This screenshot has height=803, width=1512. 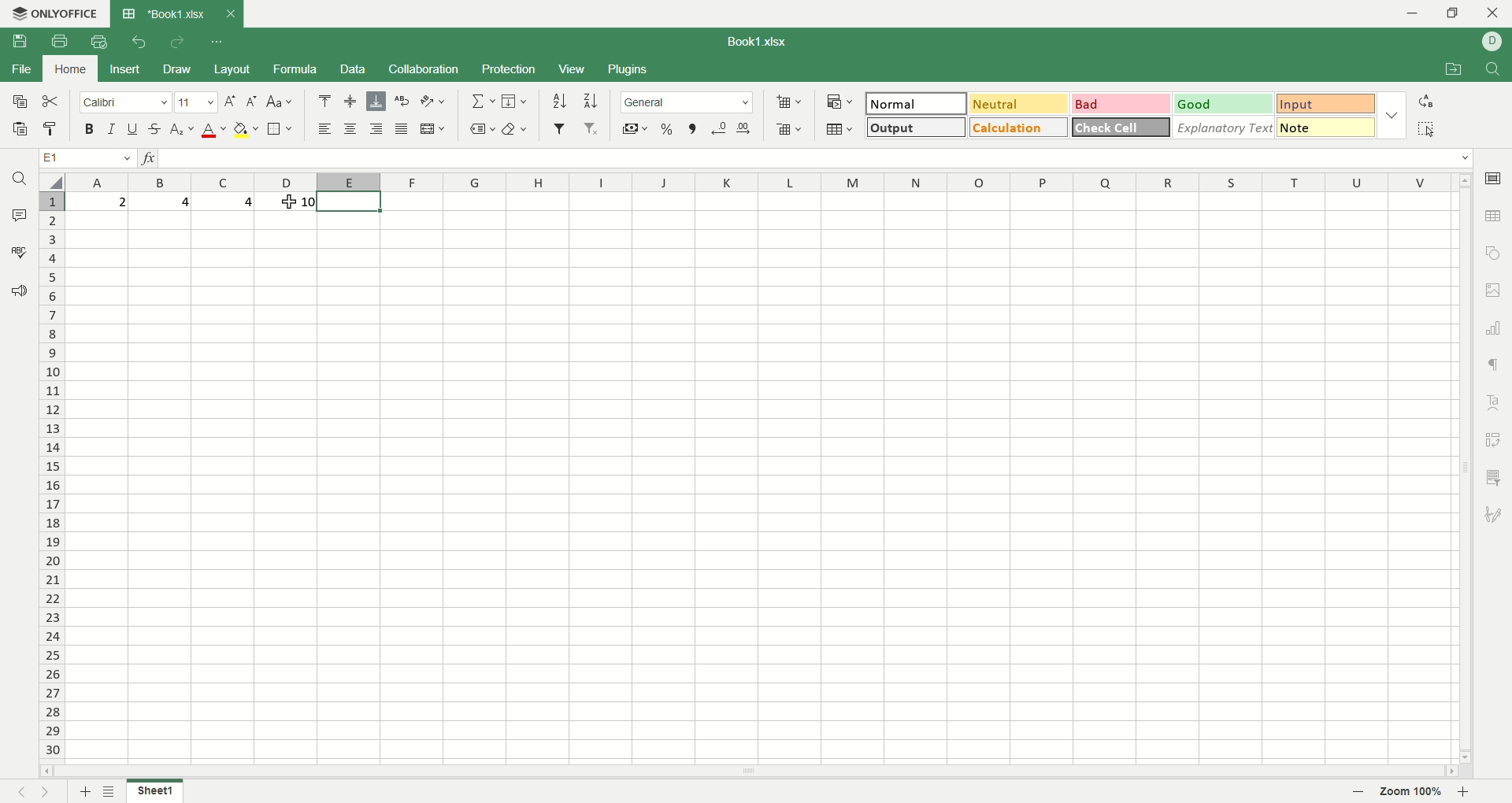 What do you see at coordinates (631, 128) in the screenshot?
I see `accounting style` at bounding box center [631, 128].